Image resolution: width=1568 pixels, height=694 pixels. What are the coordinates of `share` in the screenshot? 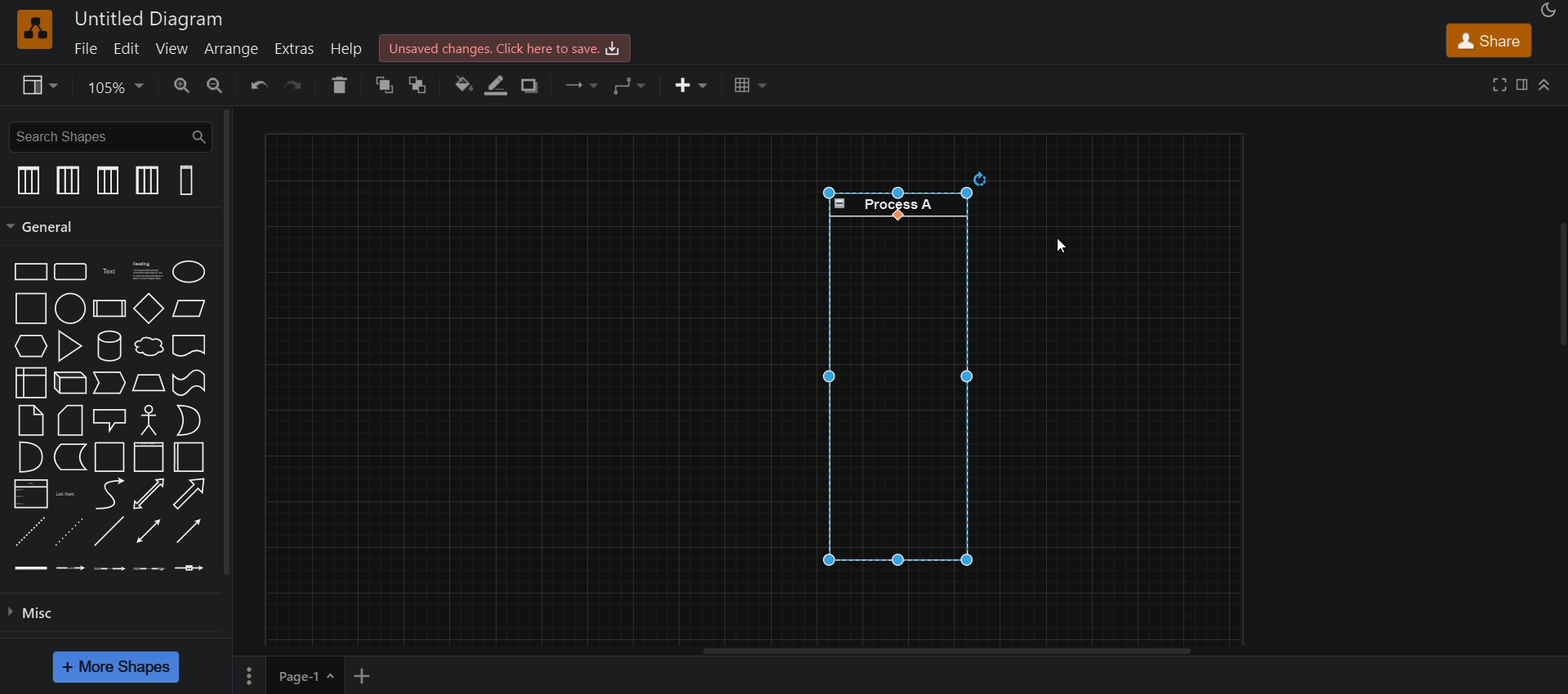 It's located at (1488, 39).